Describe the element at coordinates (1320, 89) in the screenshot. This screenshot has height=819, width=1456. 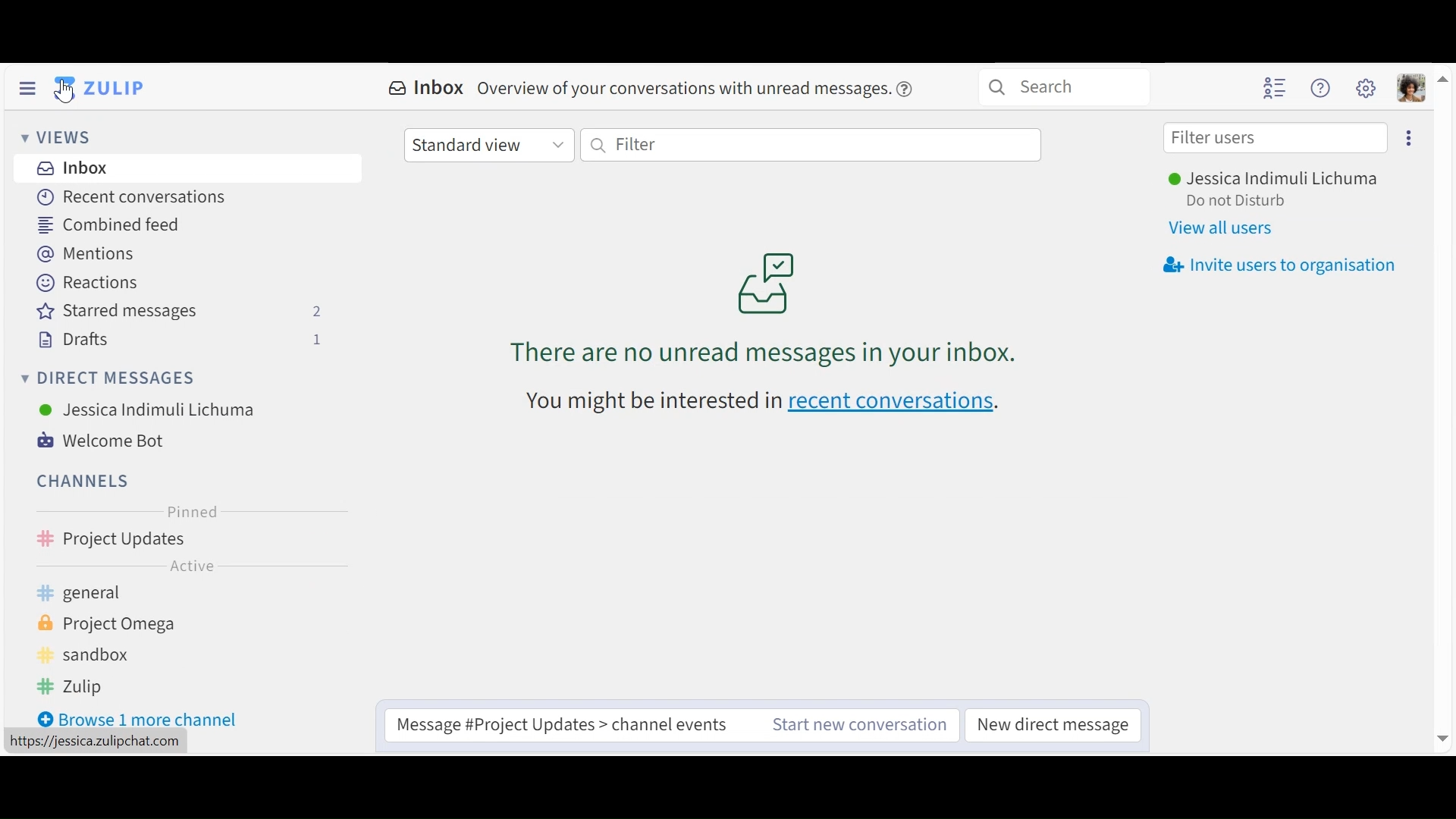
I see `Help menu` at that location.